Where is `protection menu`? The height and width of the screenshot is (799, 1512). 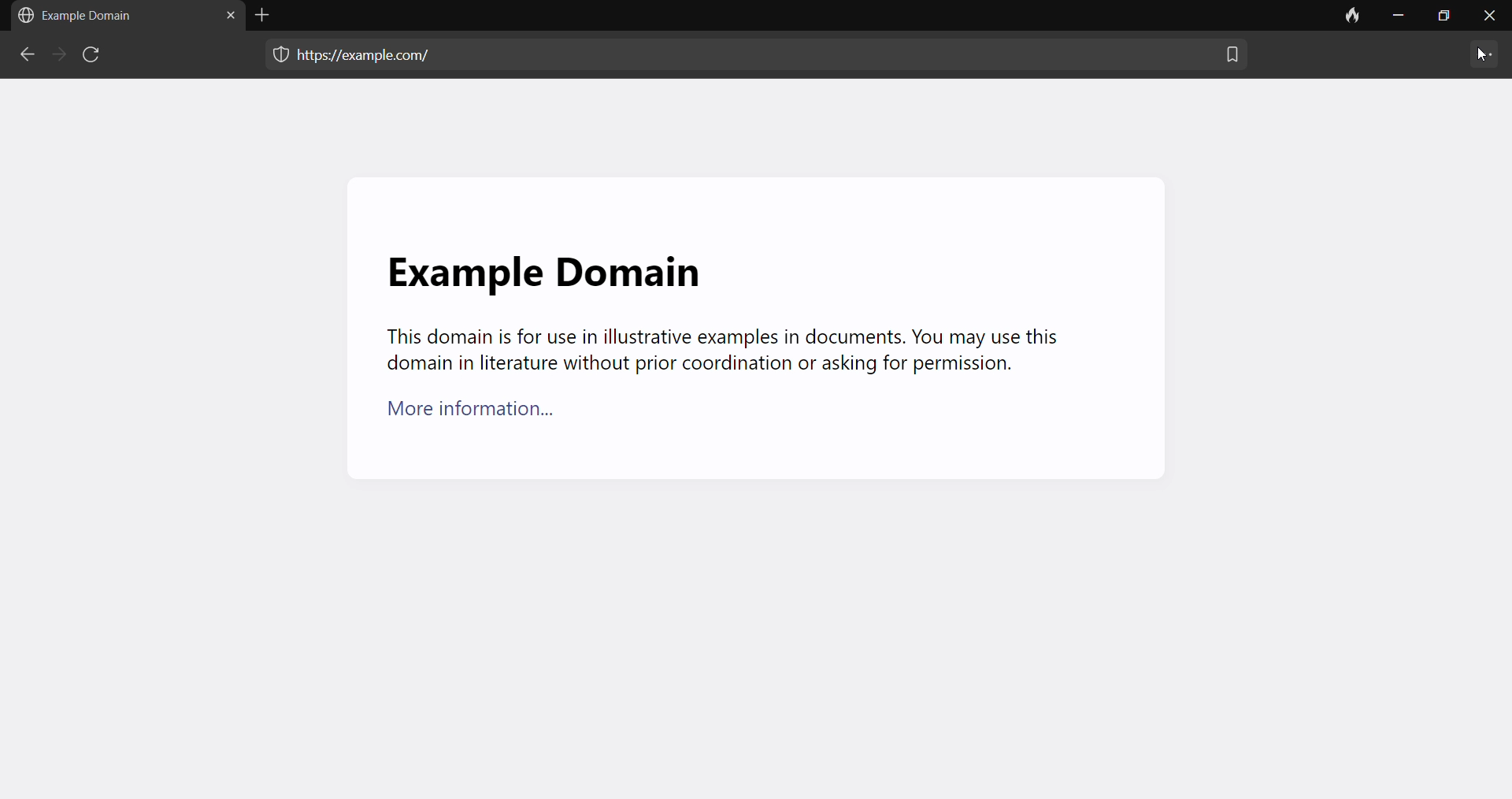
protection menu is located at coordinates (273, 57).